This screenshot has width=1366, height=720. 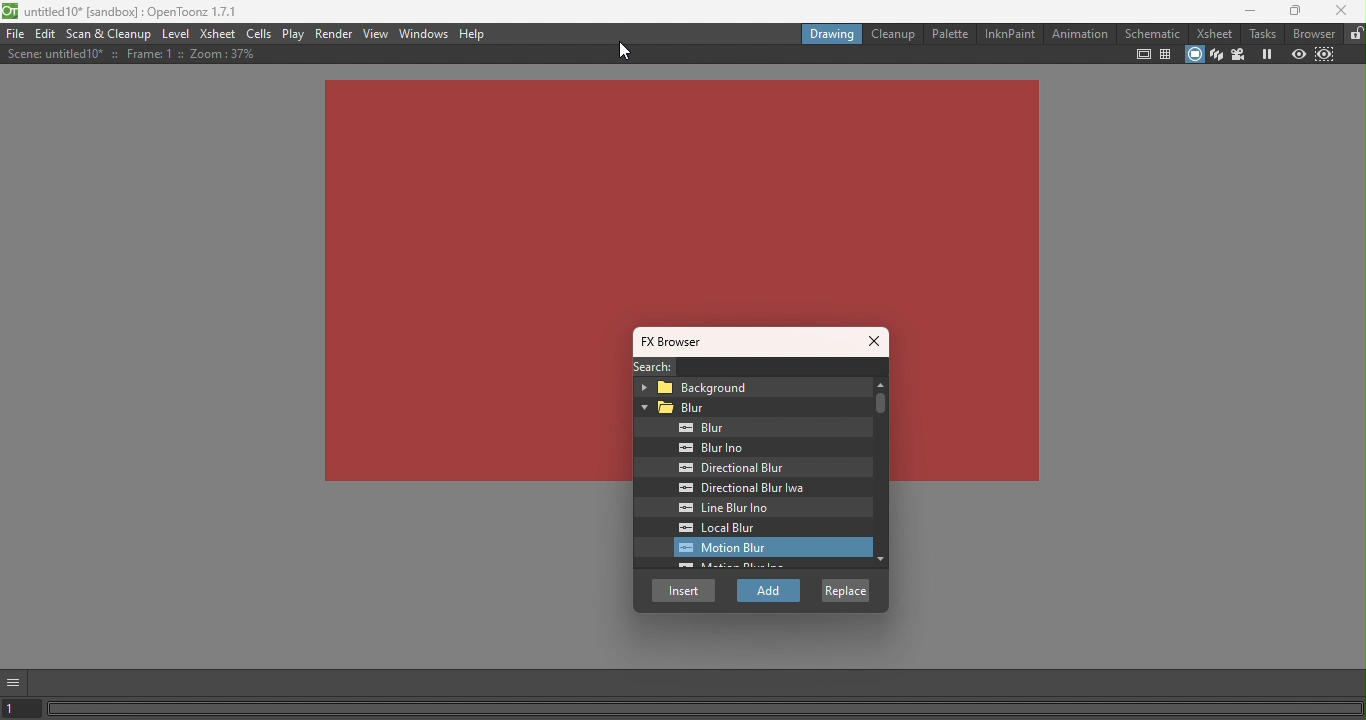 I want to click on Blur, so click(x=693, y=428).